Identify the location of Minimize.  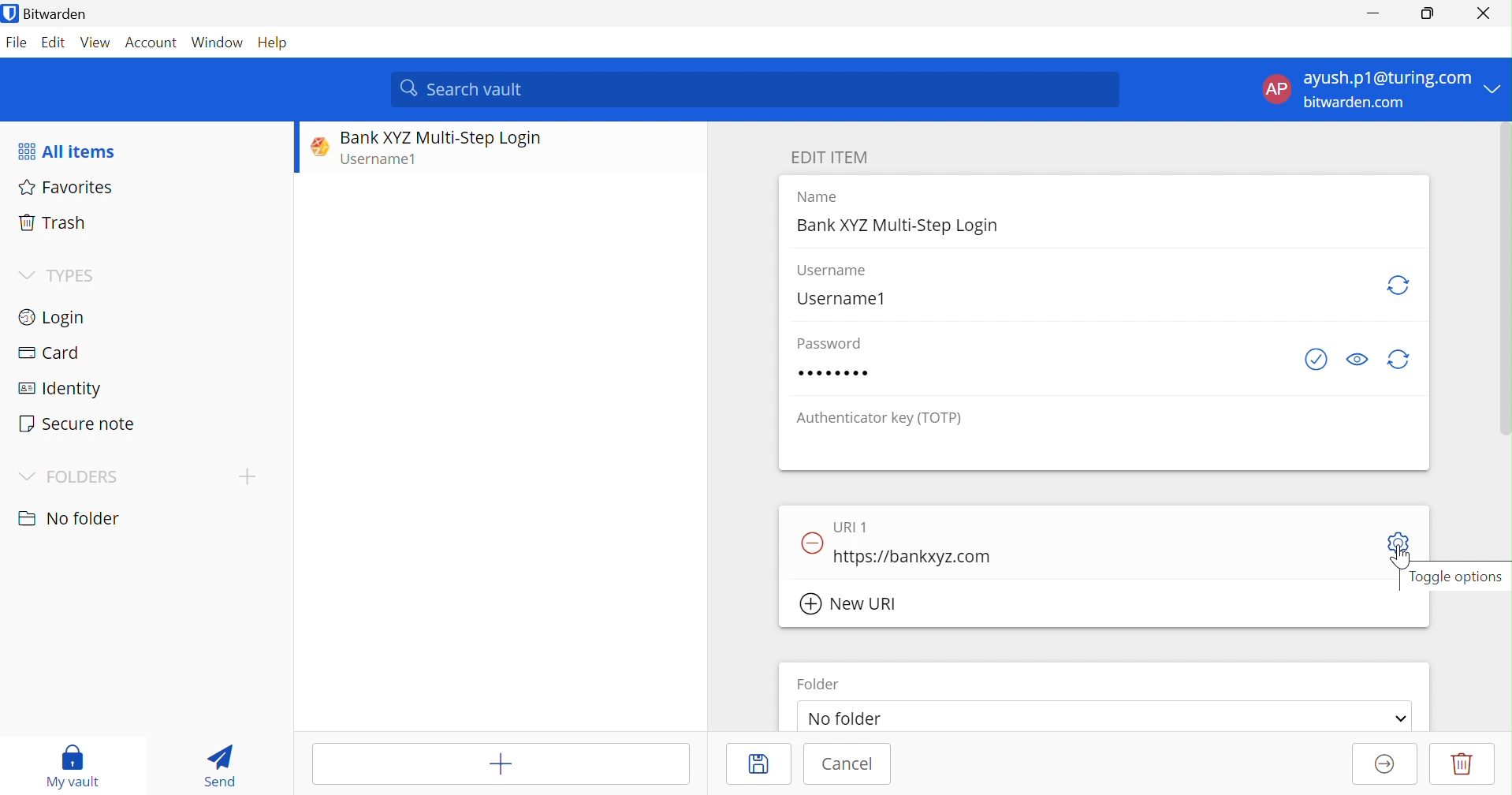
(1371, 15).